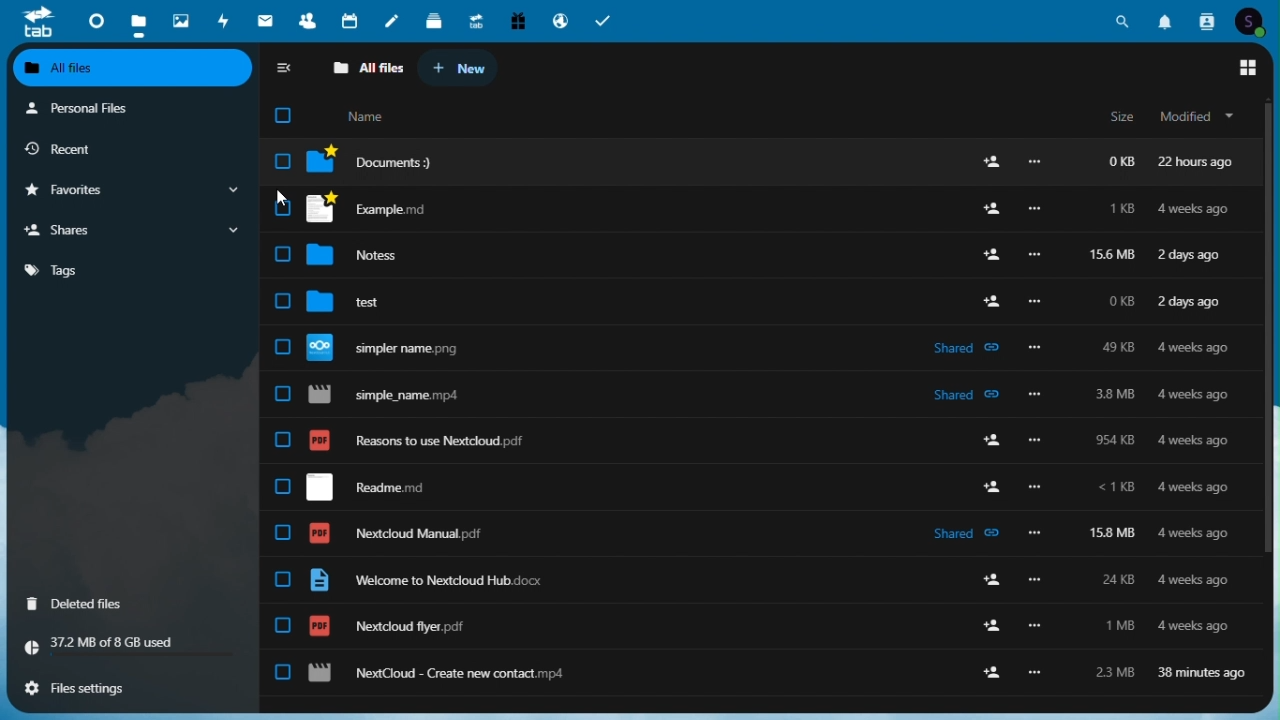 The image size is (1280, 720). What do you see at coordinates (264, 20) in the screenshot?
I see `Mail` at bounding box center [264, 20].